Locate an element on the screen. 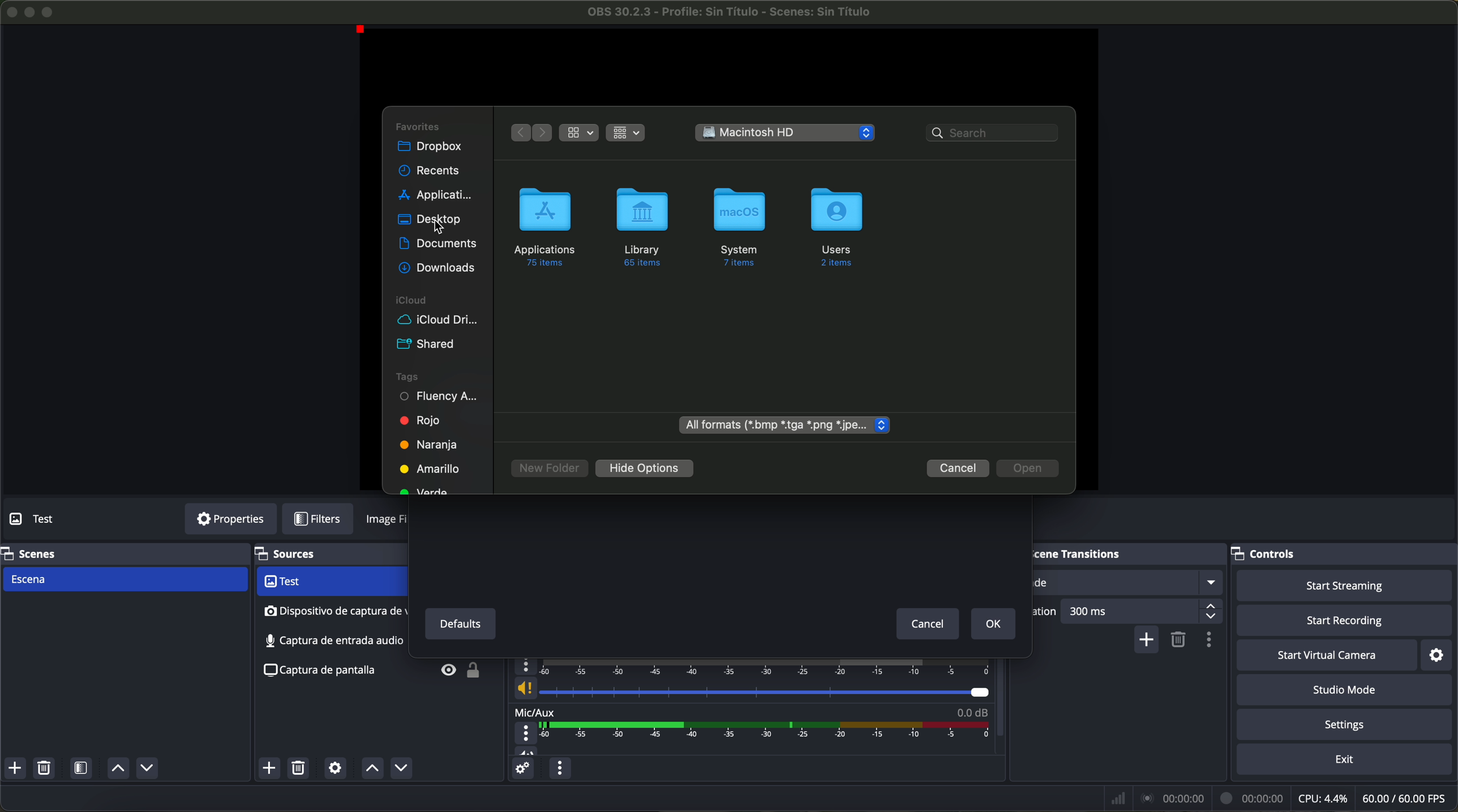 The height and width of the screenshot is (812, 1458). scene is located at coordinates (124, 580).